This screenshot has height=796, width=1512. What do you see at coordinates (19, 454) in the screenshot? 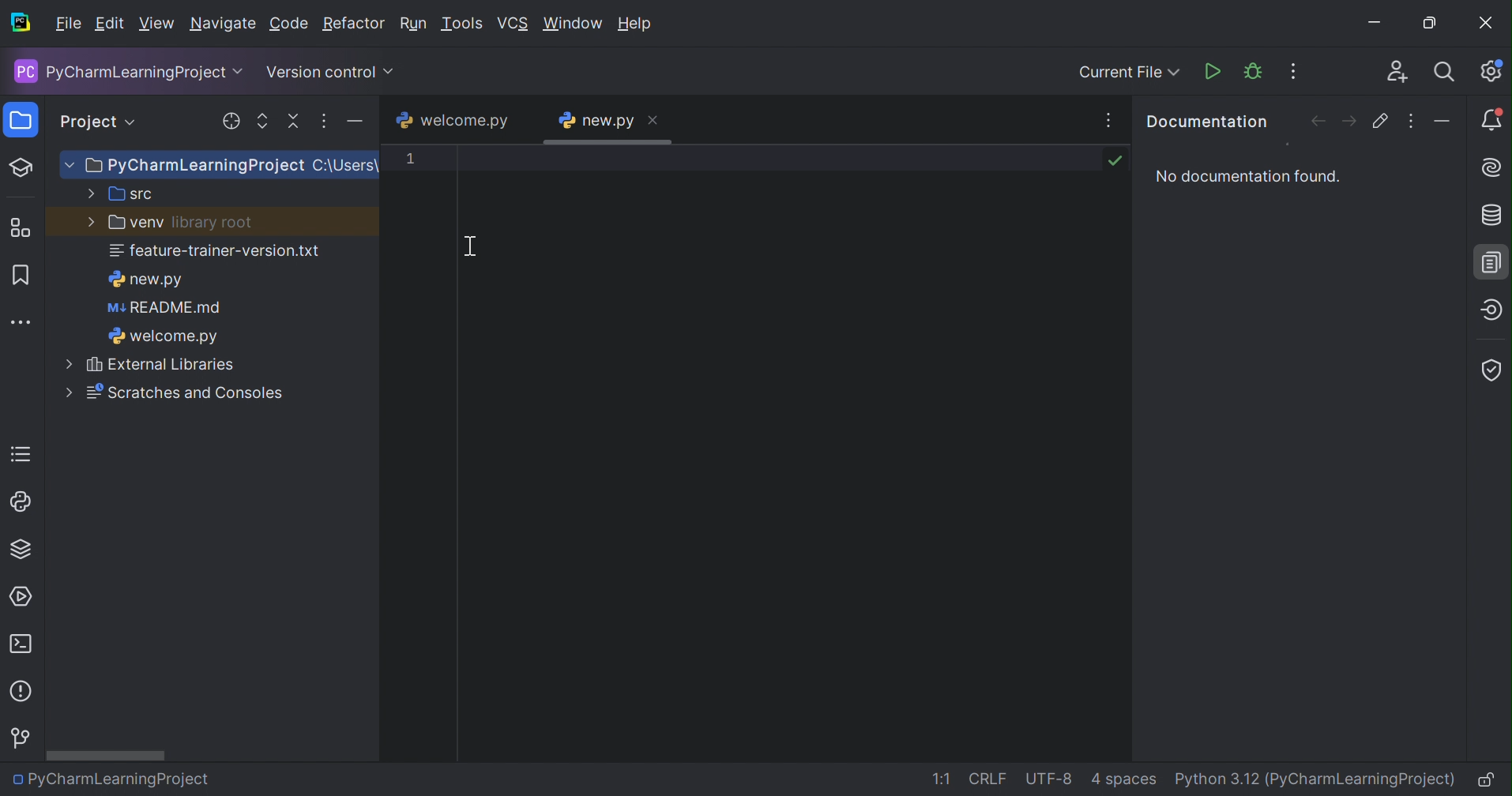
I see `TODO` at bounding box center [19, 454].